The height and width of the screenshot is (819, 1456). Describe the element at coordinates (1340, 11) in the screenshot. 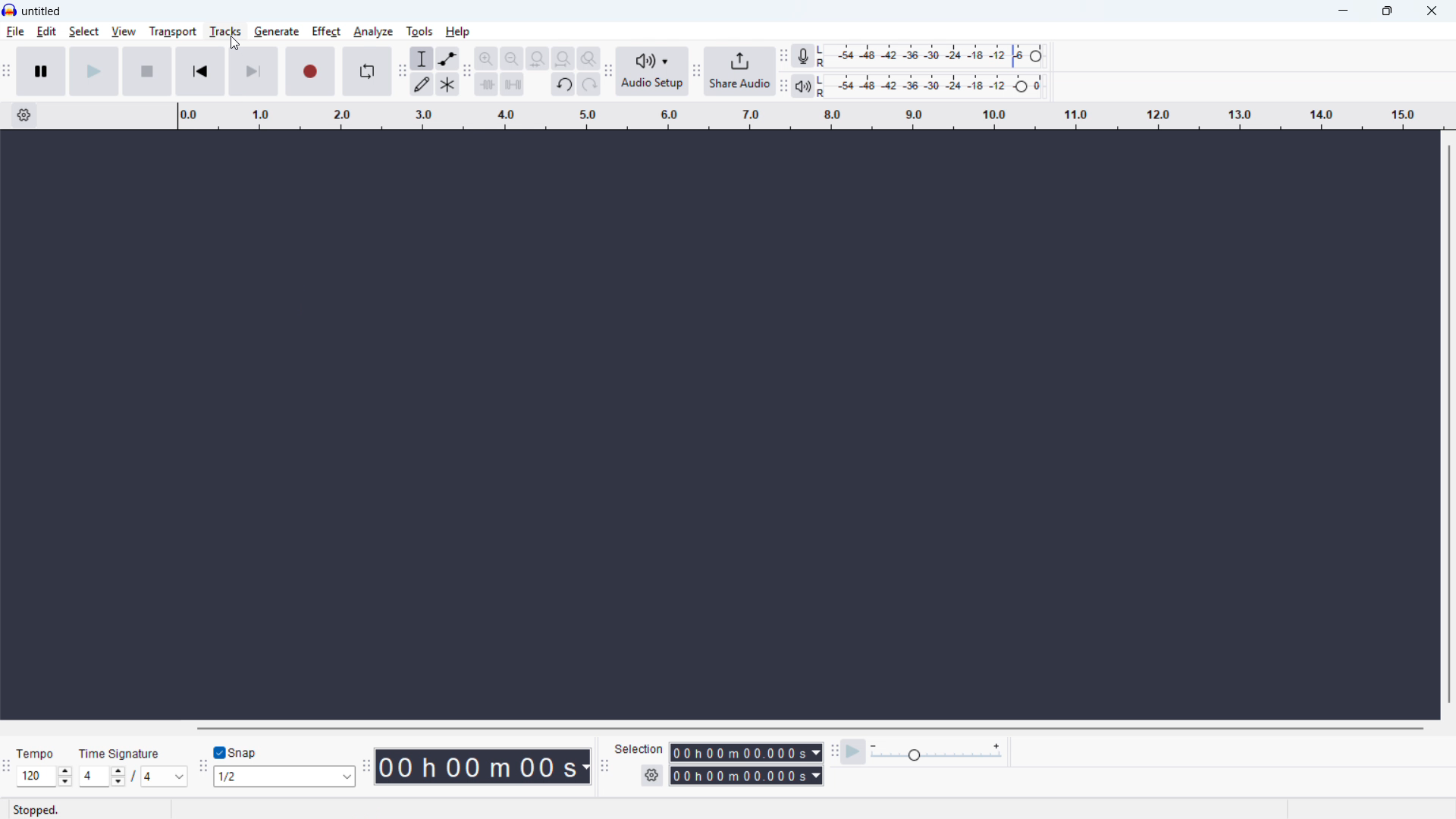

I see `minimise ` at that location.